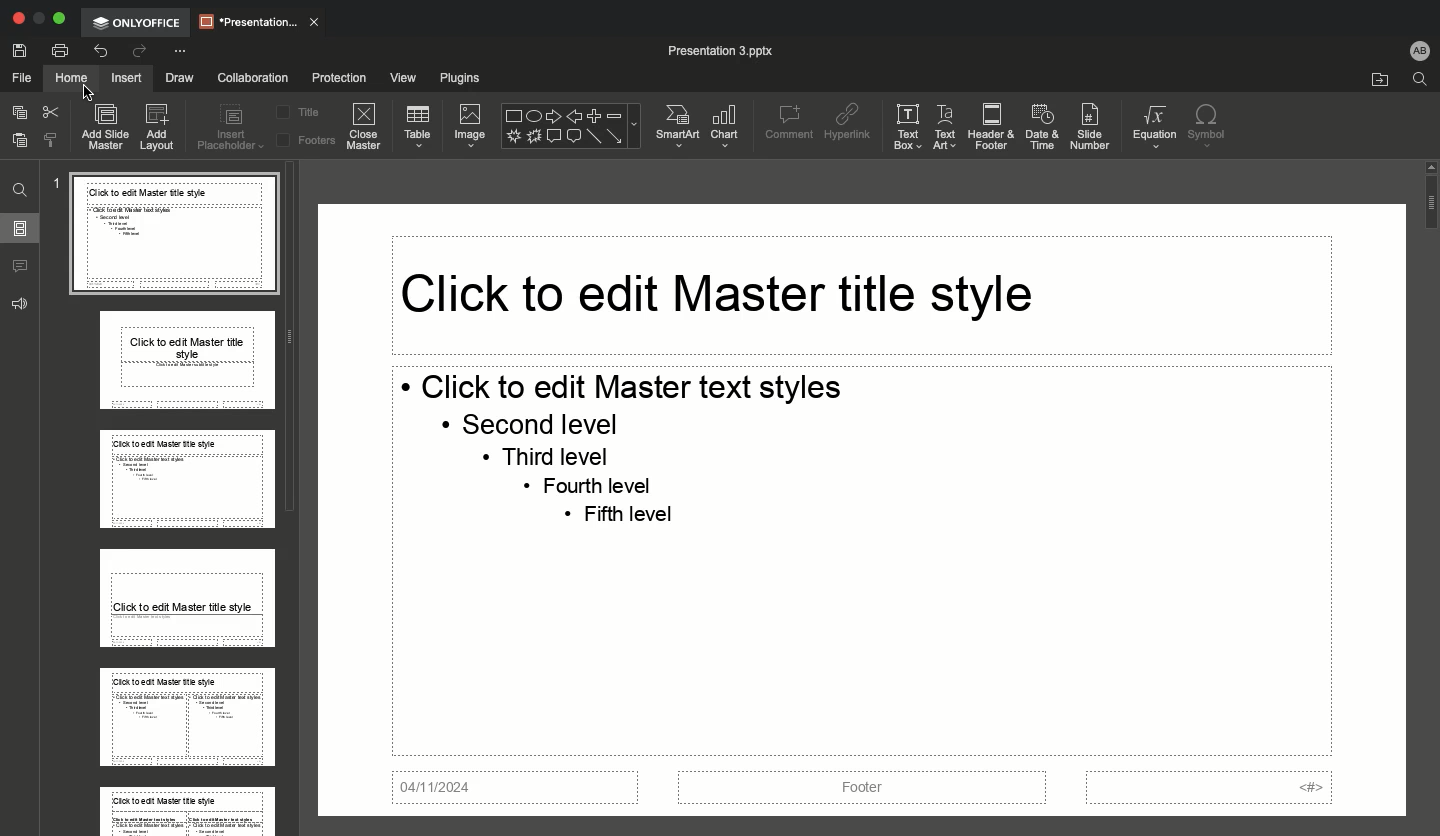 This screenshot has width=1440, height=836. What do you see at coordinates (20, 228) in the screenshot?
I see `Slides` at bounding box center [20, 228].